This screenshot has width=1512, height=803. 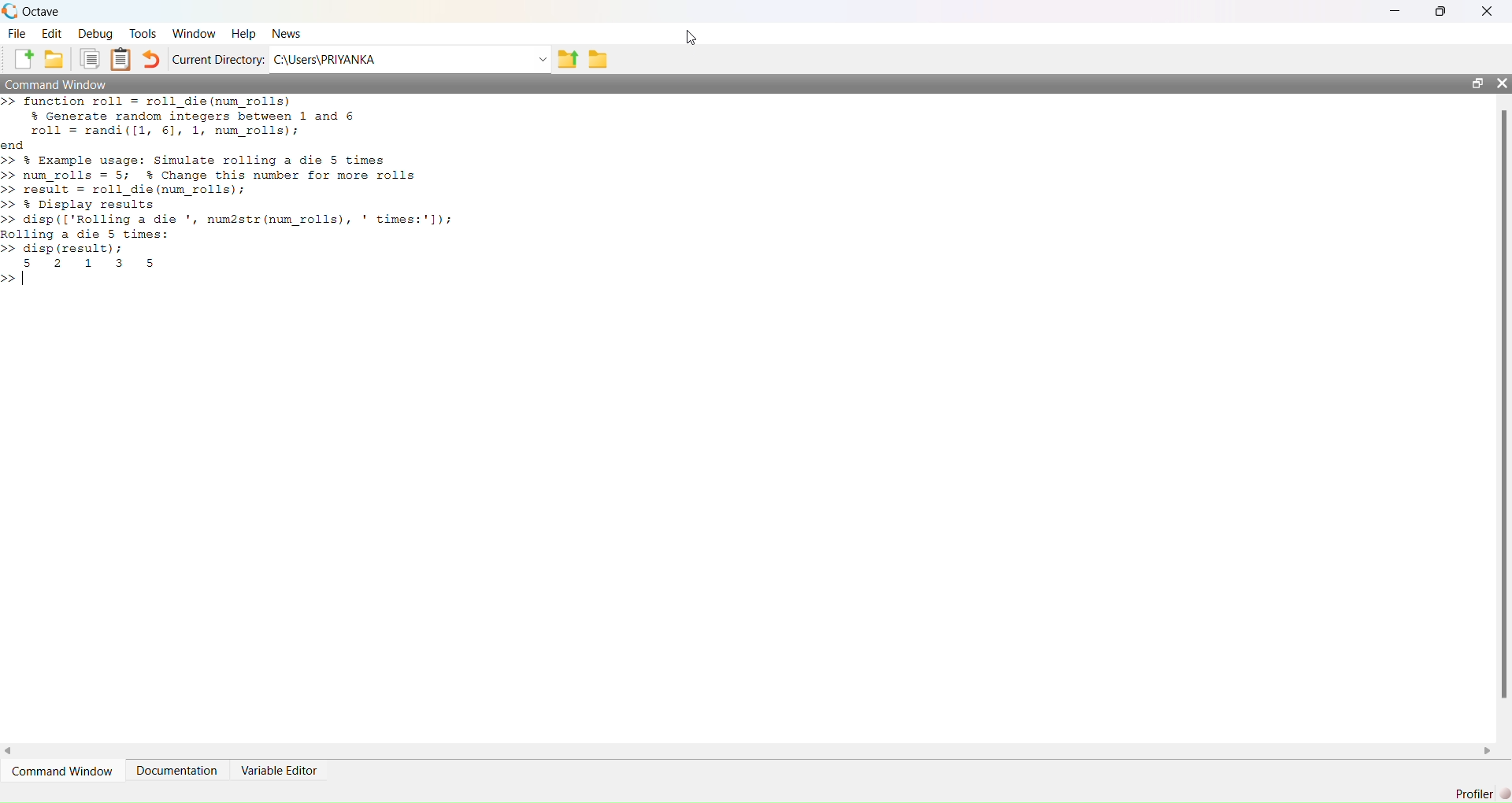 What do you see at coordinates (567, 59) in the screenshot?
I see `share folder` at bounding box center [567, 59].